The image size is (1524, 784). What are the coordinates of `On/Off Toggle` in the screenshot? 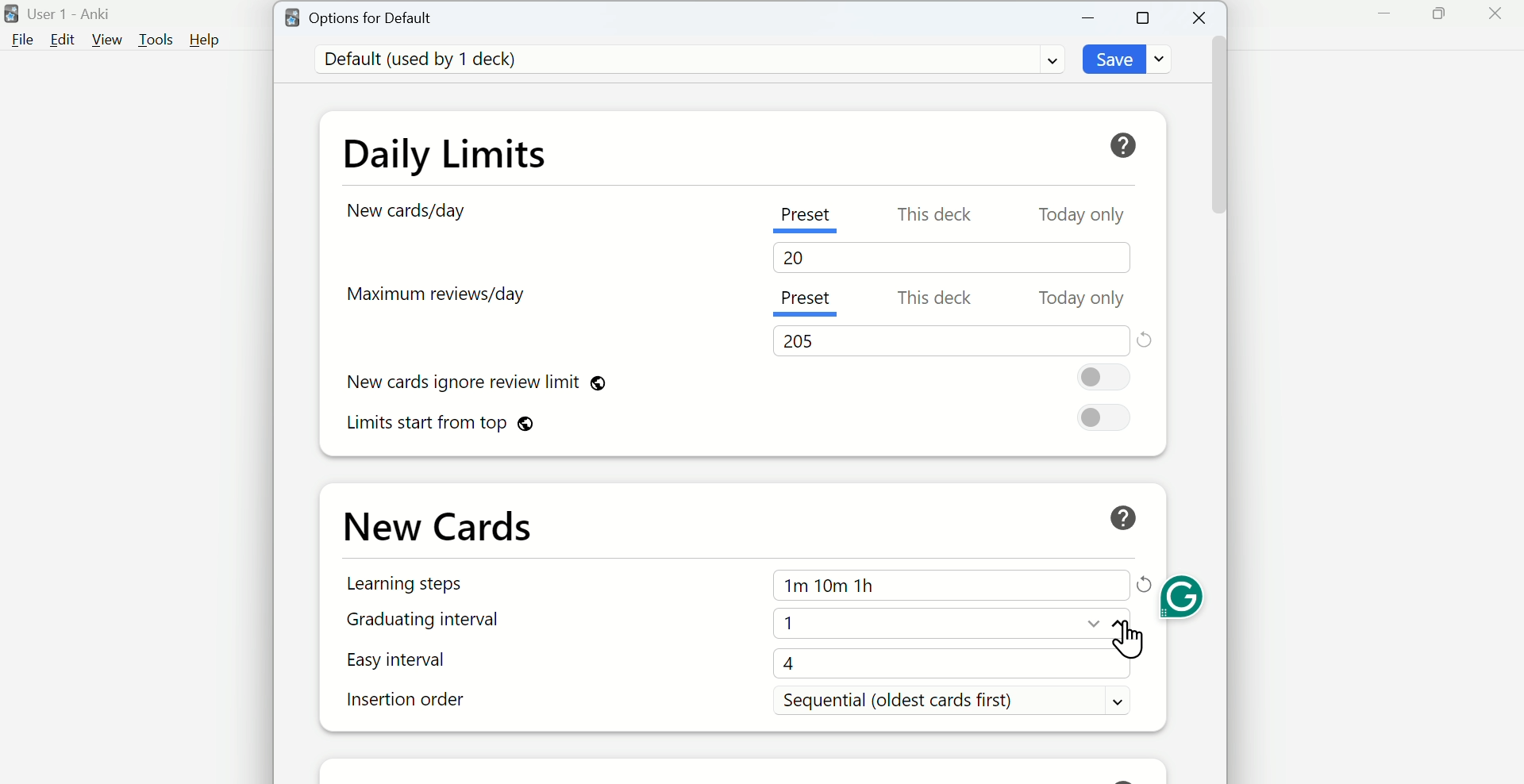 It's located at (1108, 378).